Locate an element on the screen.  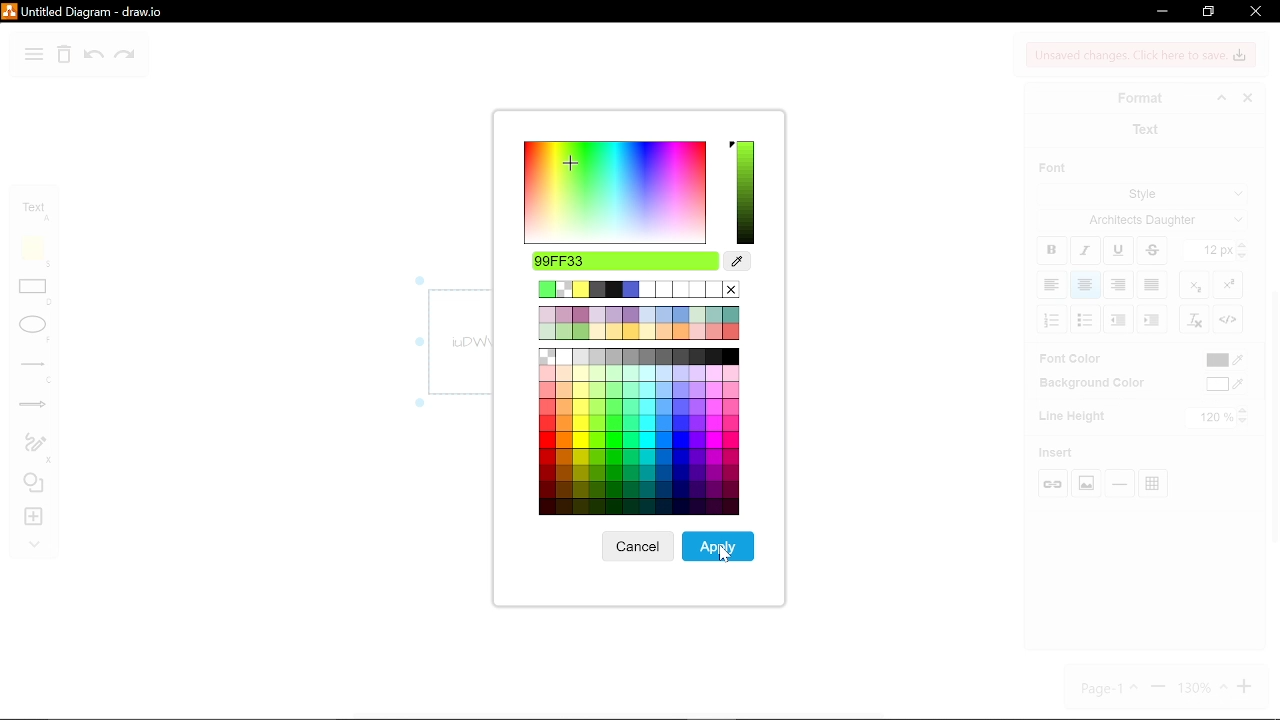
current color is located at coordinates (642, 291).